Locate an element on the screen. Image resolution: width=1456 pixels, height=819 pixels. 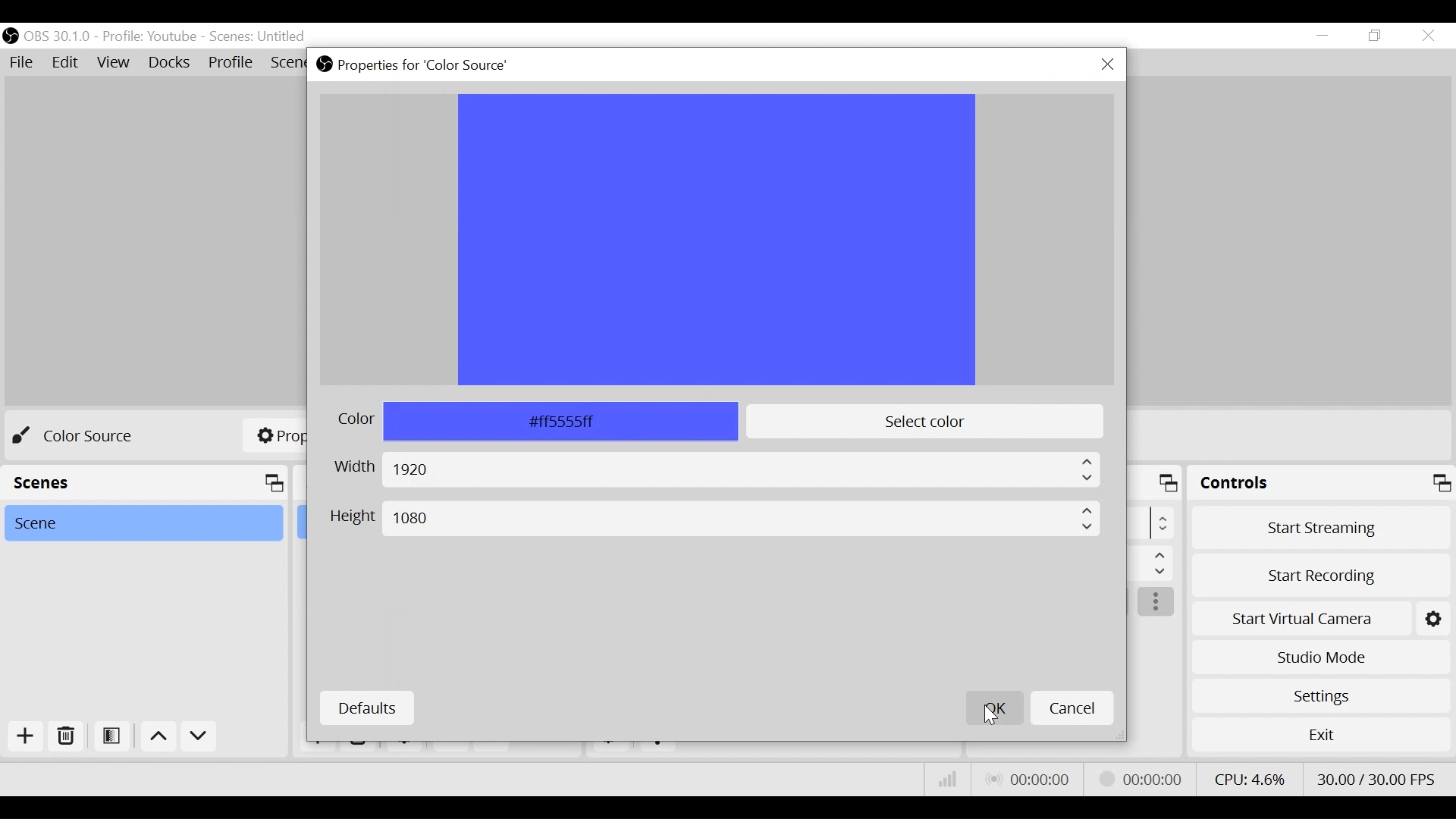
View is located at coordinates (112, 62).